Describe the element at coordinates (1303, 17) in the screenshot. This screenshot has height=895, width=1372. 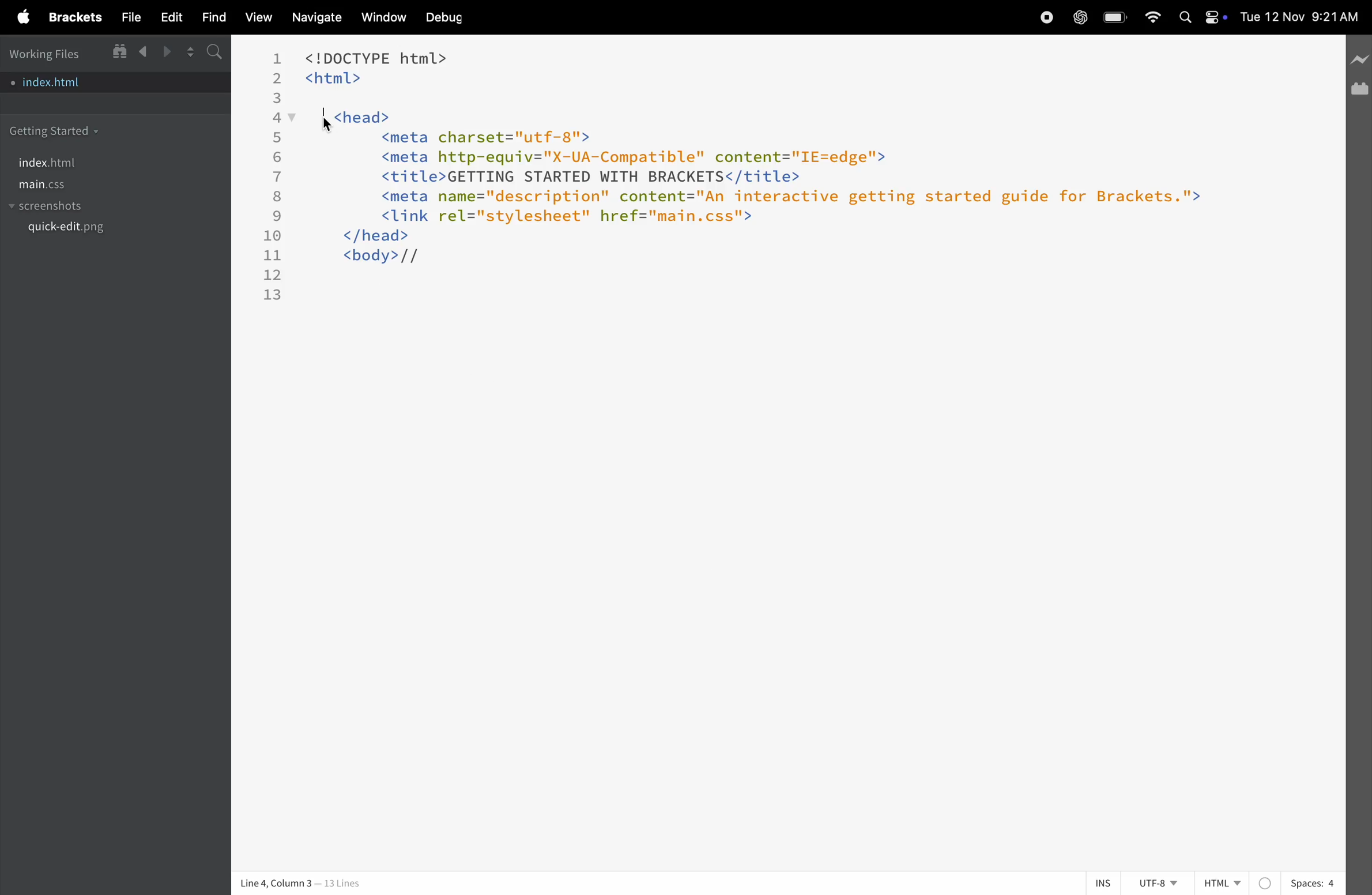
I see `date and time` at that location.